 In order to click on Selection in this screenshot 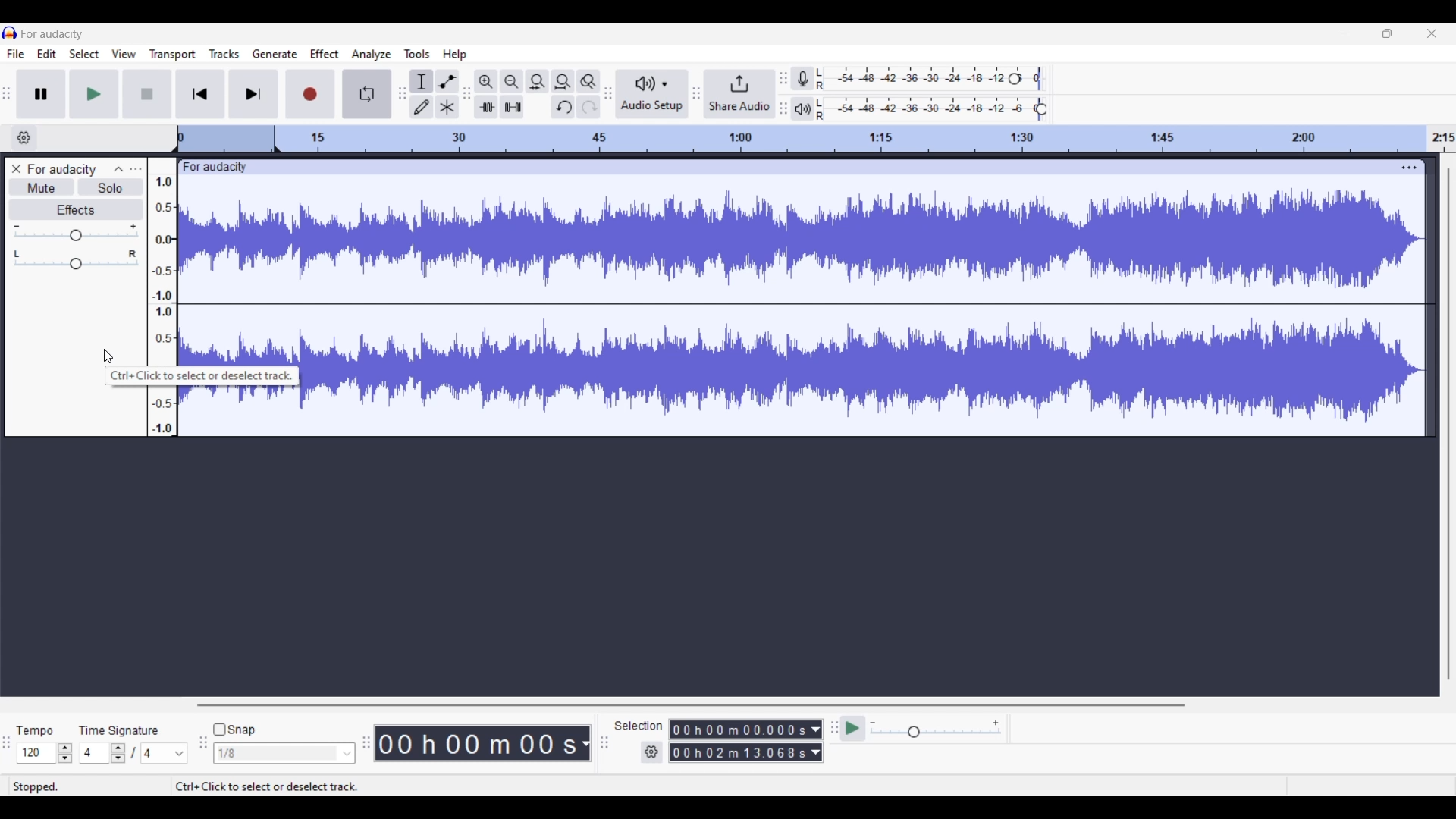, I will do `click(639, 727)`.